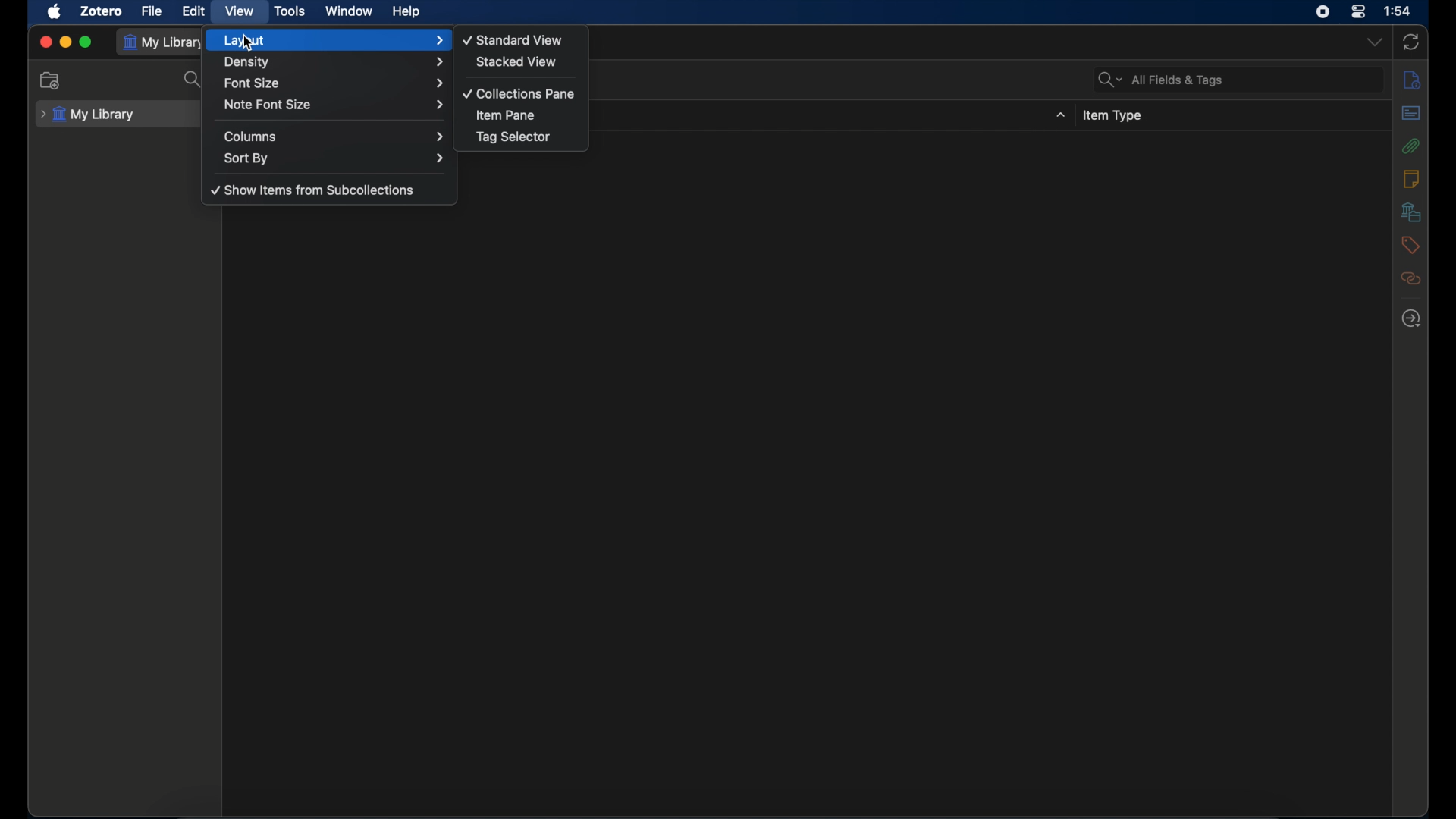  I want to click on tag selector, so click(514, 137).